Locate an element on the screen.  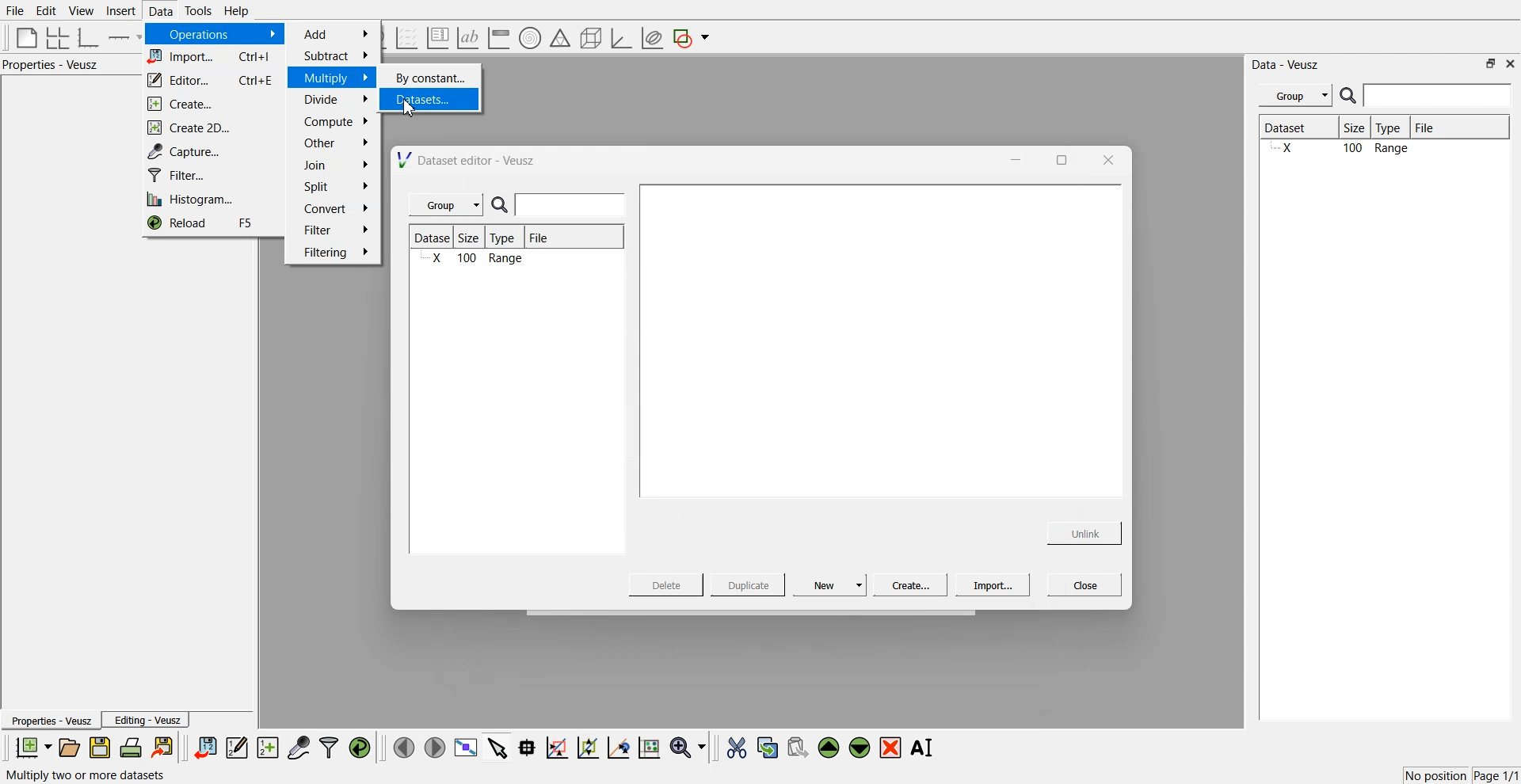
Filter... is located at coordinates (209, 176).